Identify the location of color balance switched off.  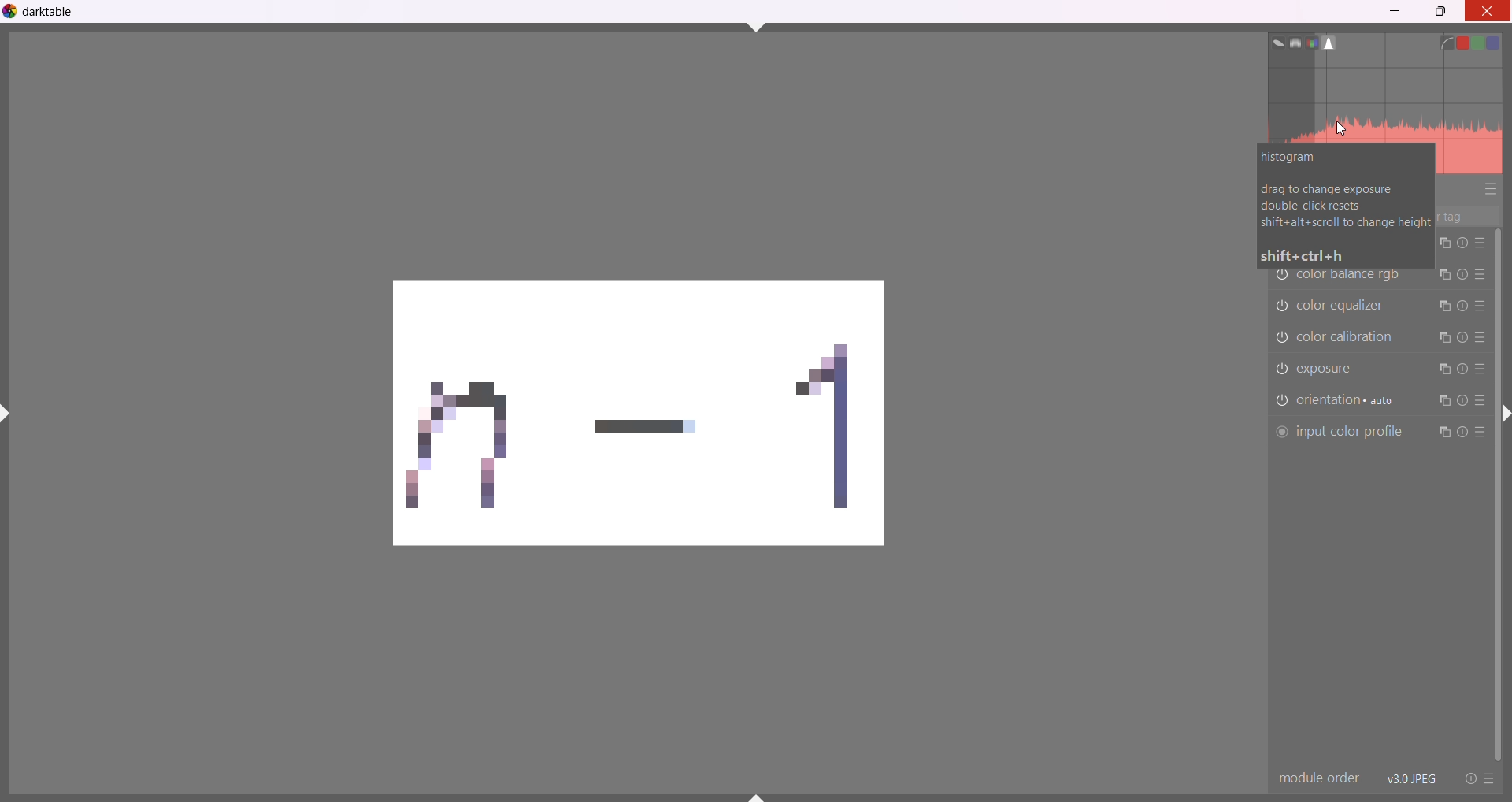
(1280, 338).